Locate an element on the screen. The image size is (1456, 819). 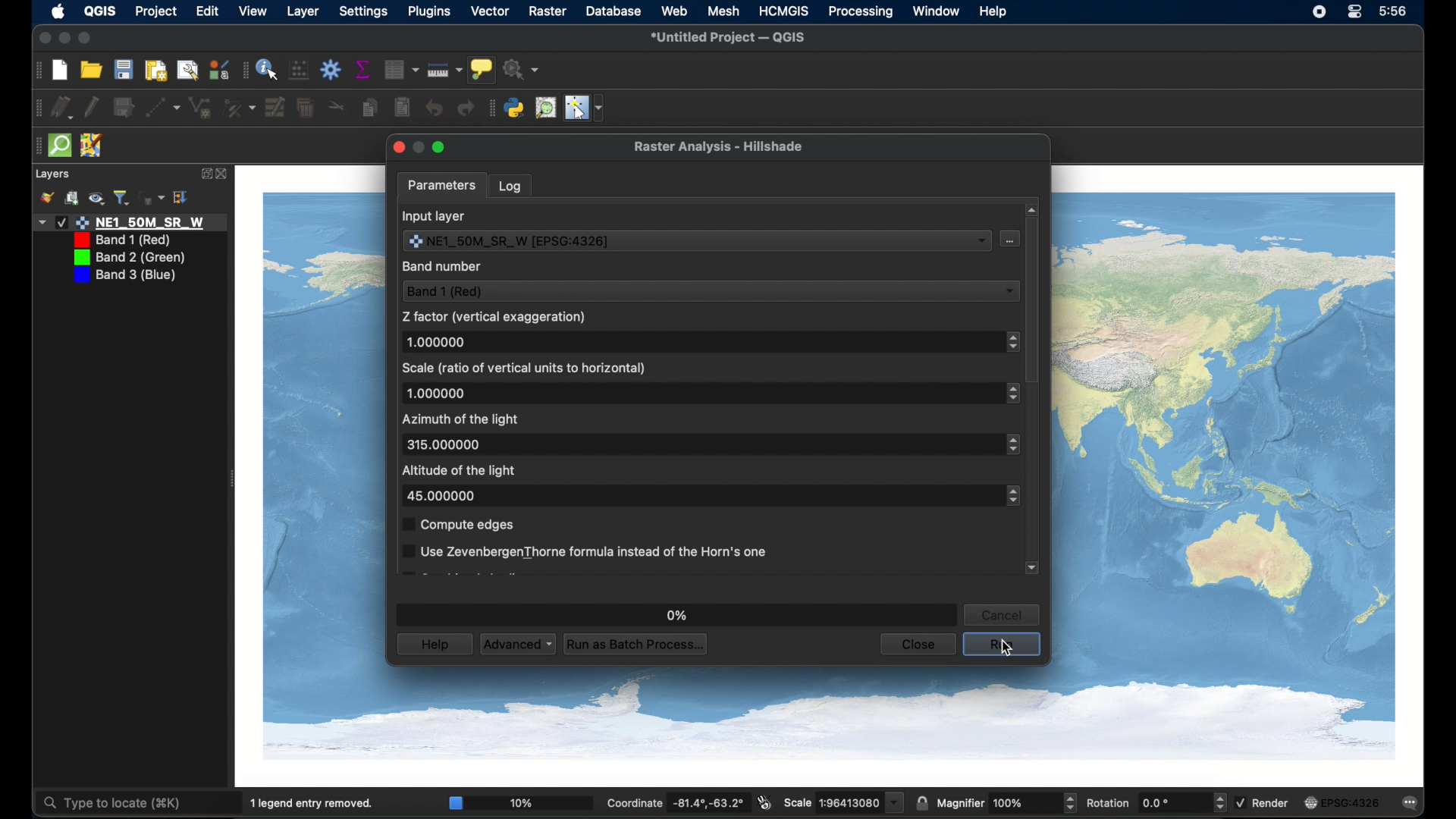
vector is located at coordinates (489, 11).